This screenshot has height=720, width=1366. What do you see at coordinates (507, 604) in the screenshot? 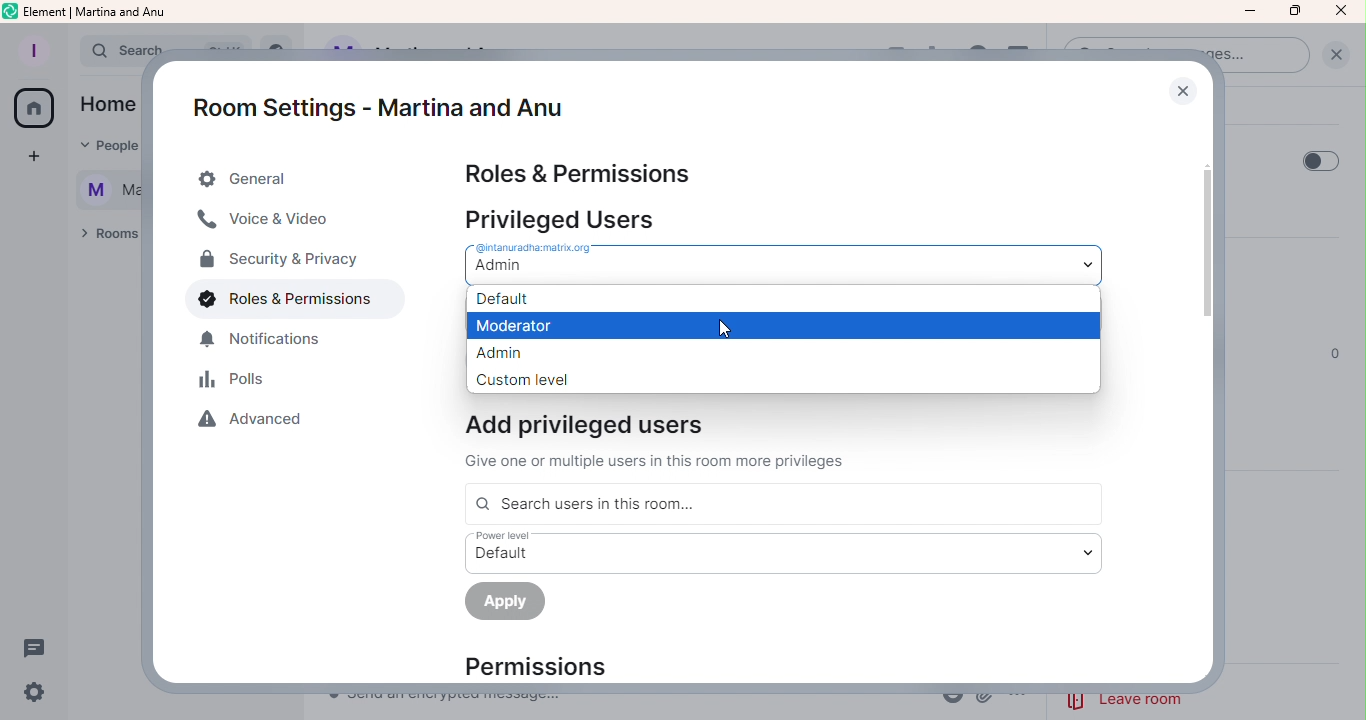
I see `Apply` at bounding box center [507, 604].